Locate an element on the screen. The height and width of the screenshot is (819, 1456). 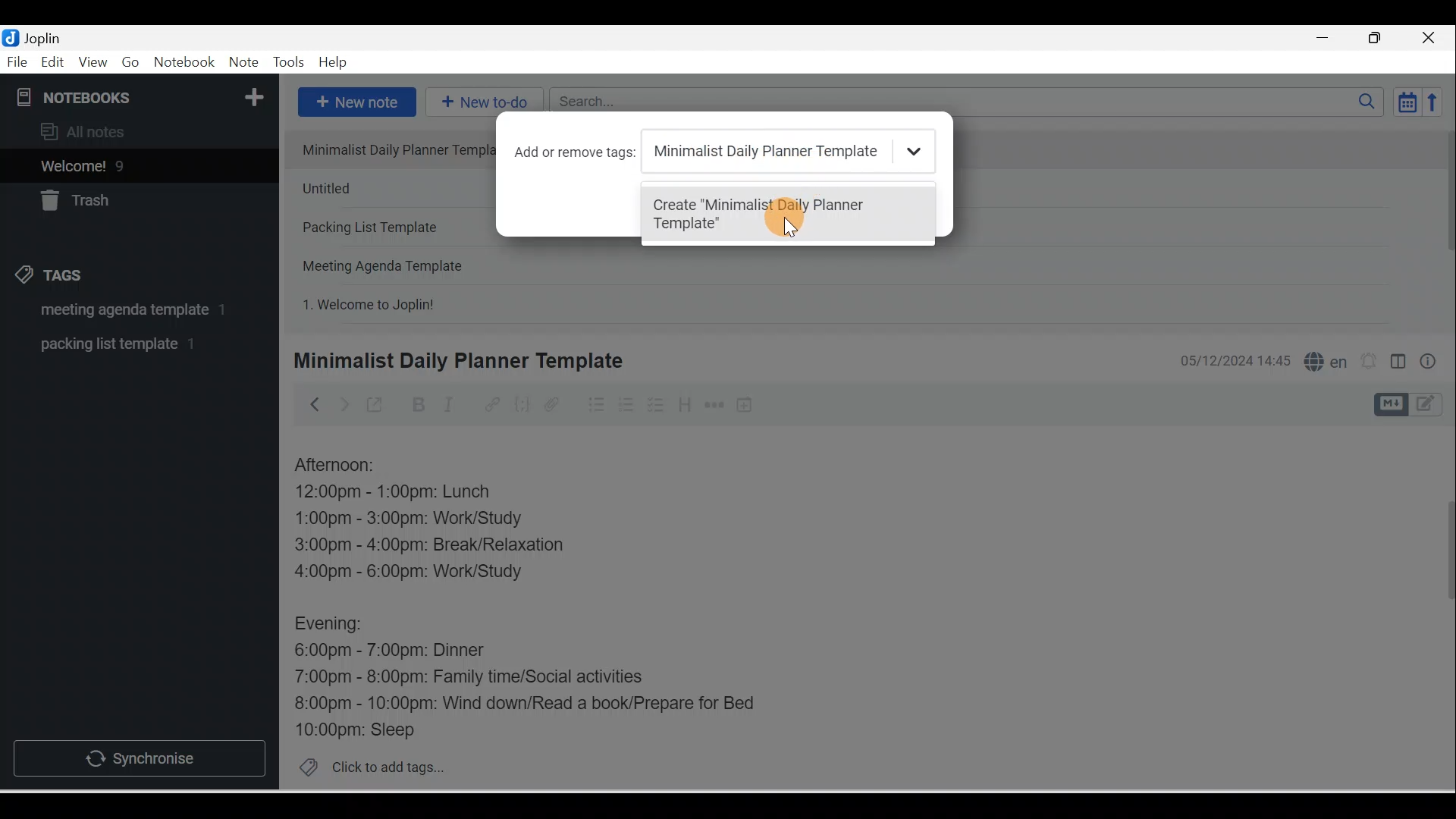
Code is located at coordinates (522, 406).